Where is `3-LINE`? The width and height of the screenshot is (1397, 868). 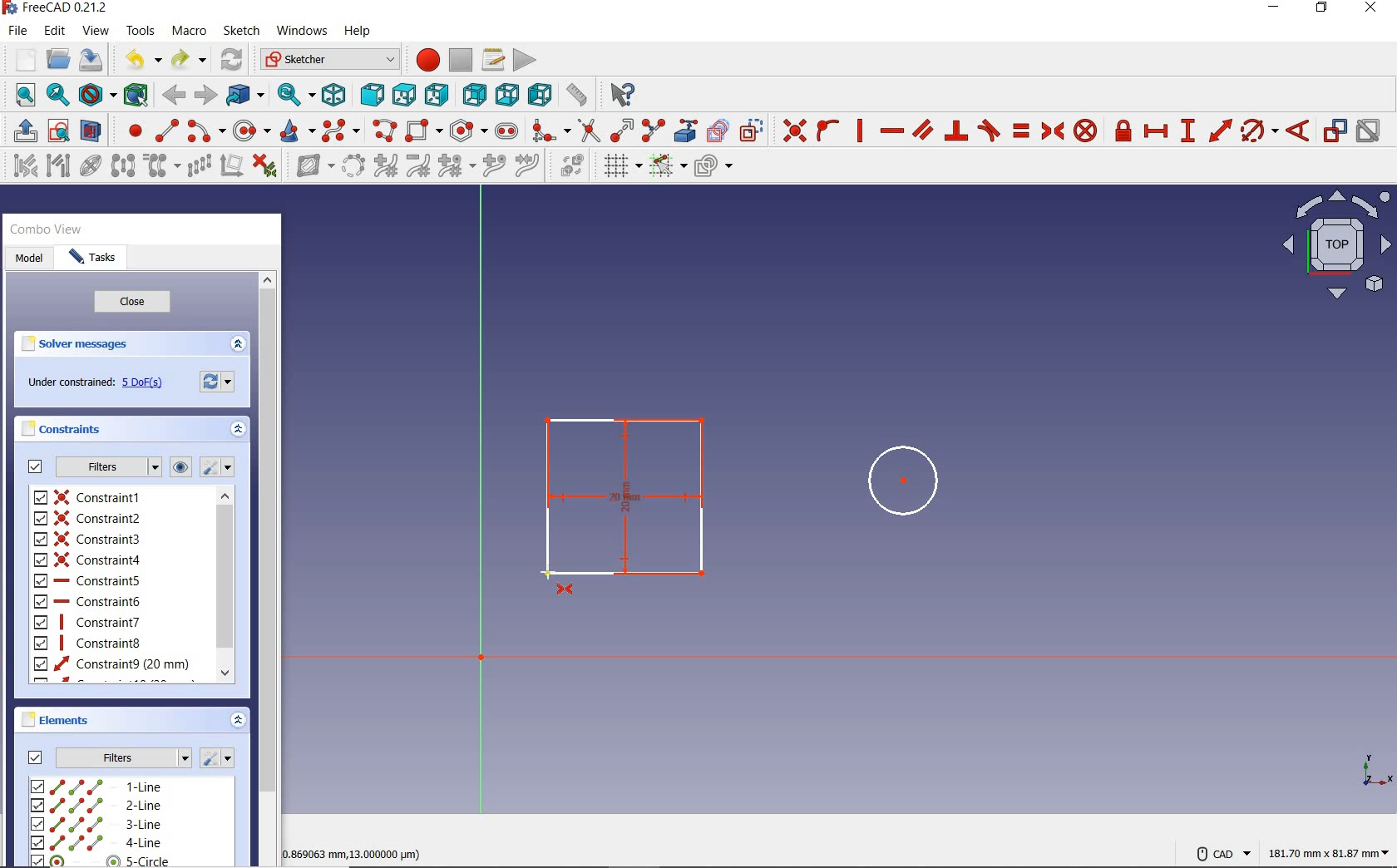 3-LINE is located at coordinates (96, 826).